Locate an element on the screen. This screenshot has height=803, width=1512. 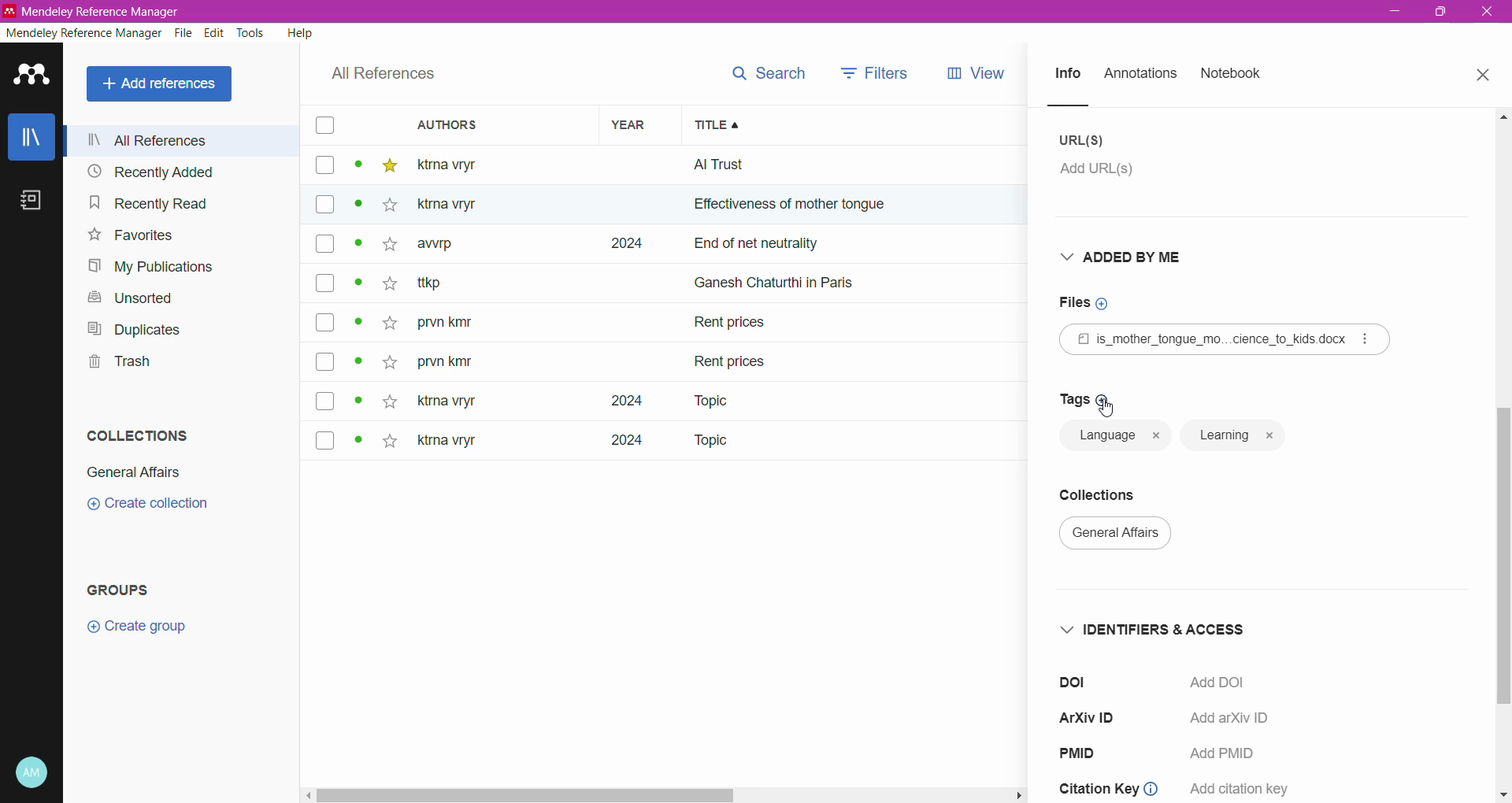
Info is located at coordinates (1066, 75).